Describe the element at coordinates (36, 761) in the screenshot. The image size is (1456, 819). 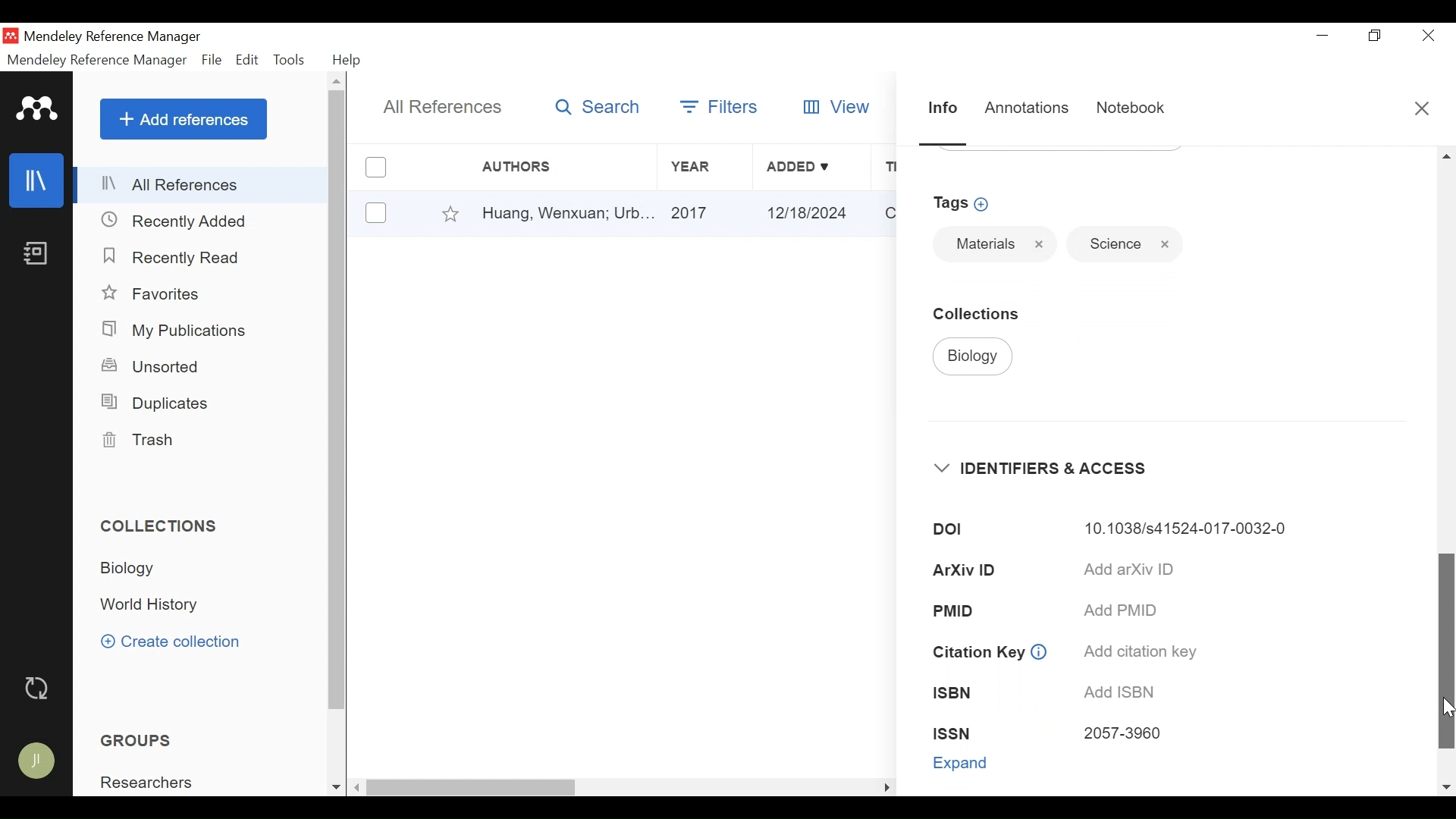
I see `Avatar` at that location.